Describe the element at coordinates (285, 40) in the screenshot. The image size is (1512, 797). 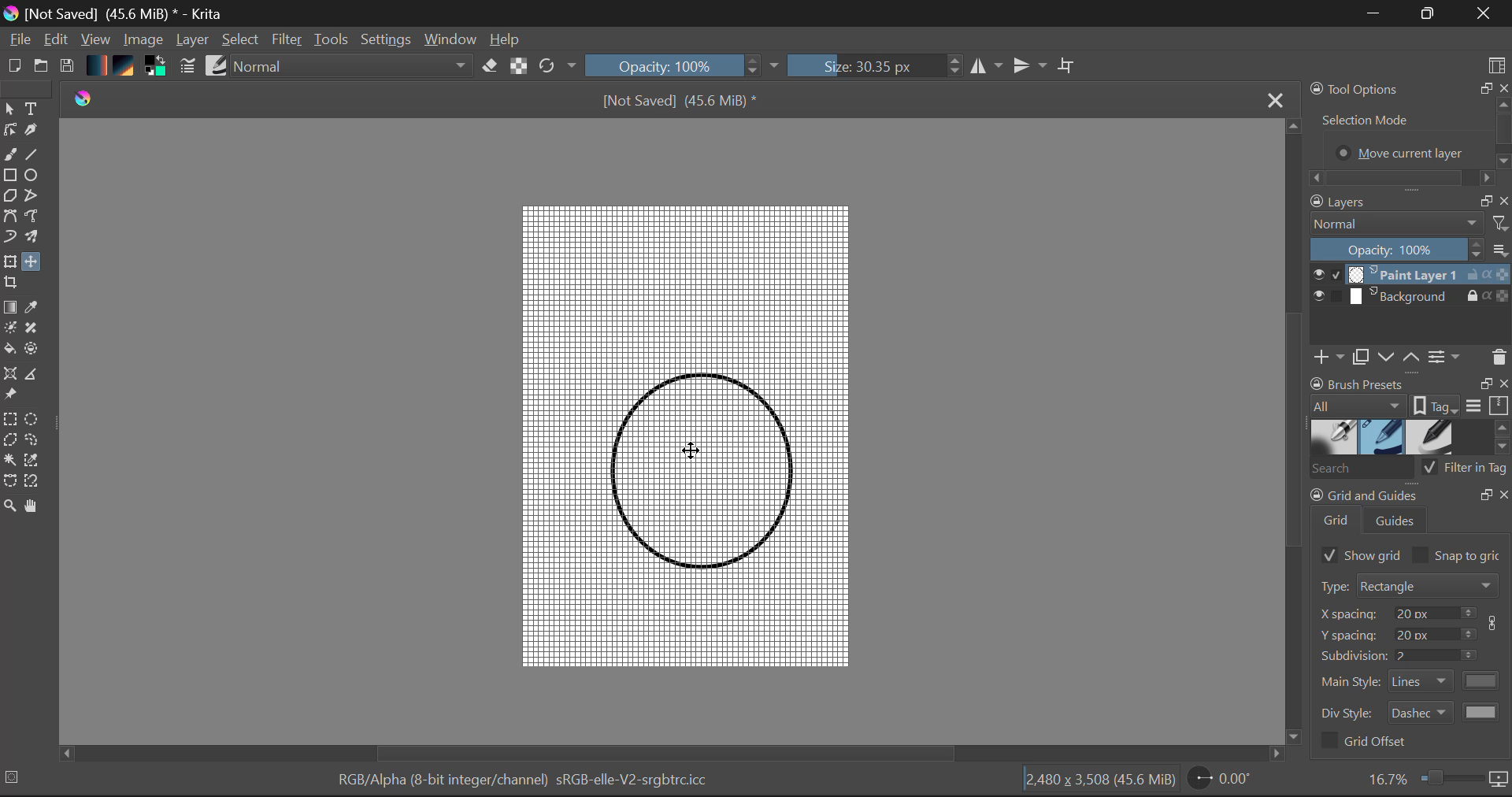
I see `Filter` at that location.